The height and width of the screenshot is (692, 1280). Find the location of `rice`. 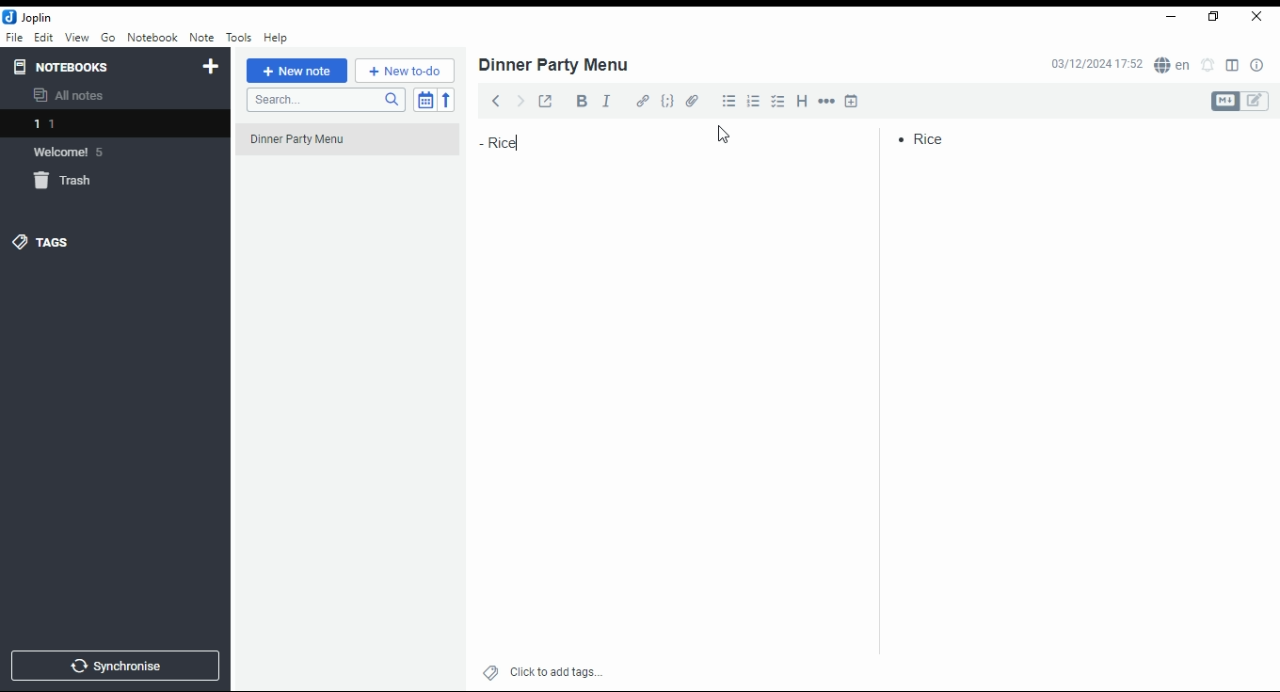

rice is located at coordinates (515, 142).